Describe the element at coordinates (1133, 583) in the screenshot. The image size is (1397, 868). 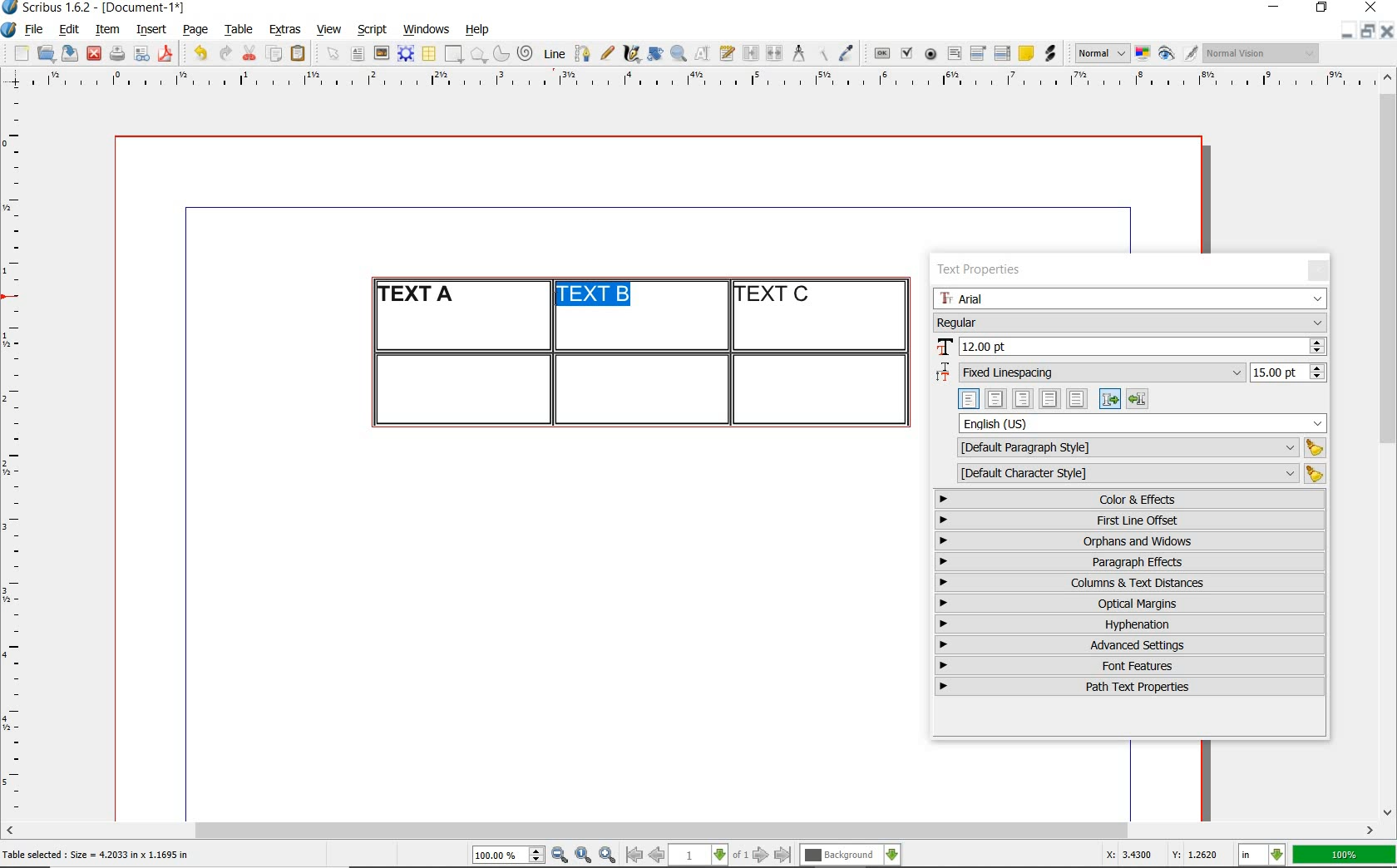
I see `columns & text distances` at that location.